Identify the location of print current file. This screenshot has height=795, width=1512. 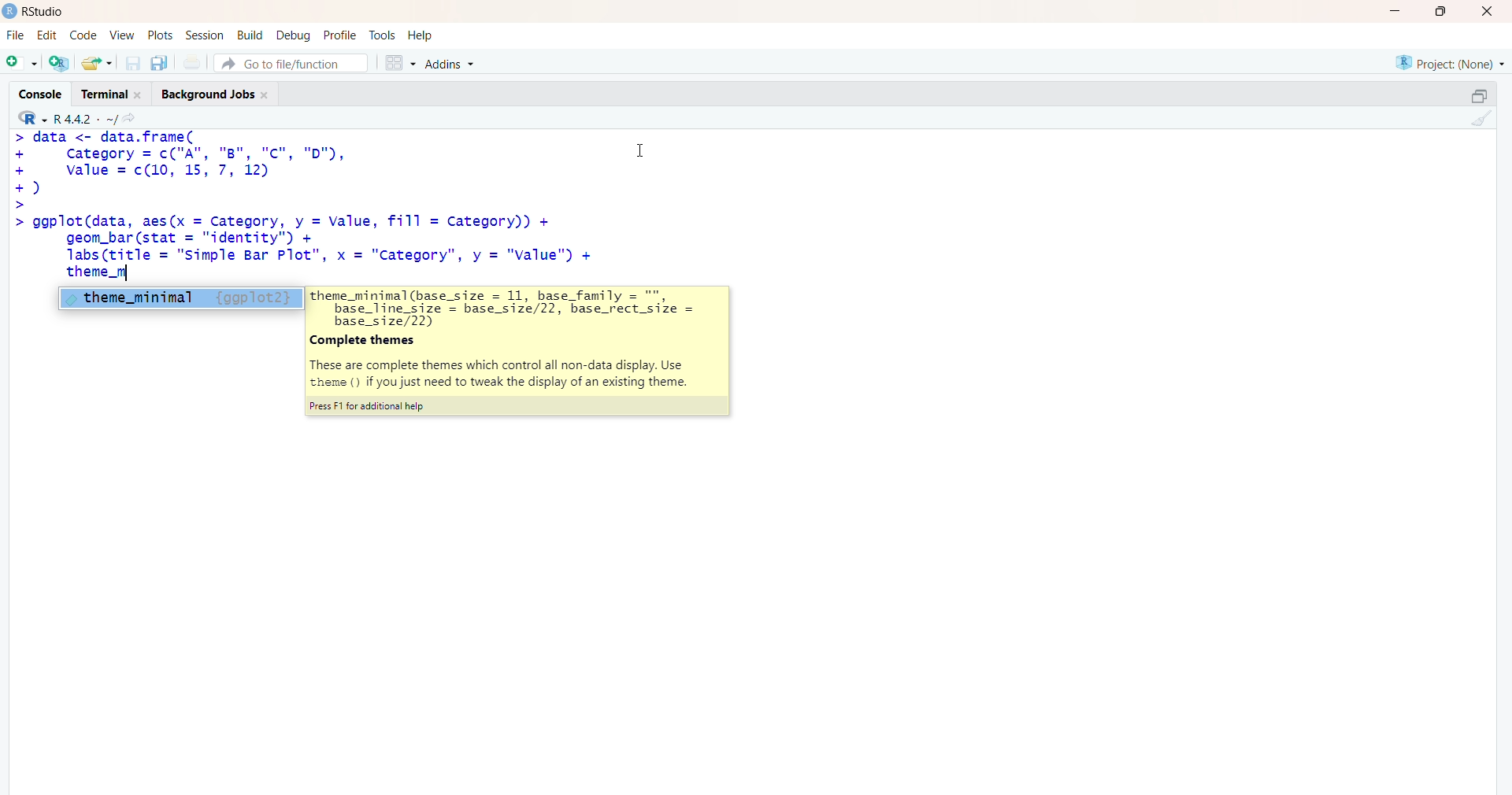
(190, 62).